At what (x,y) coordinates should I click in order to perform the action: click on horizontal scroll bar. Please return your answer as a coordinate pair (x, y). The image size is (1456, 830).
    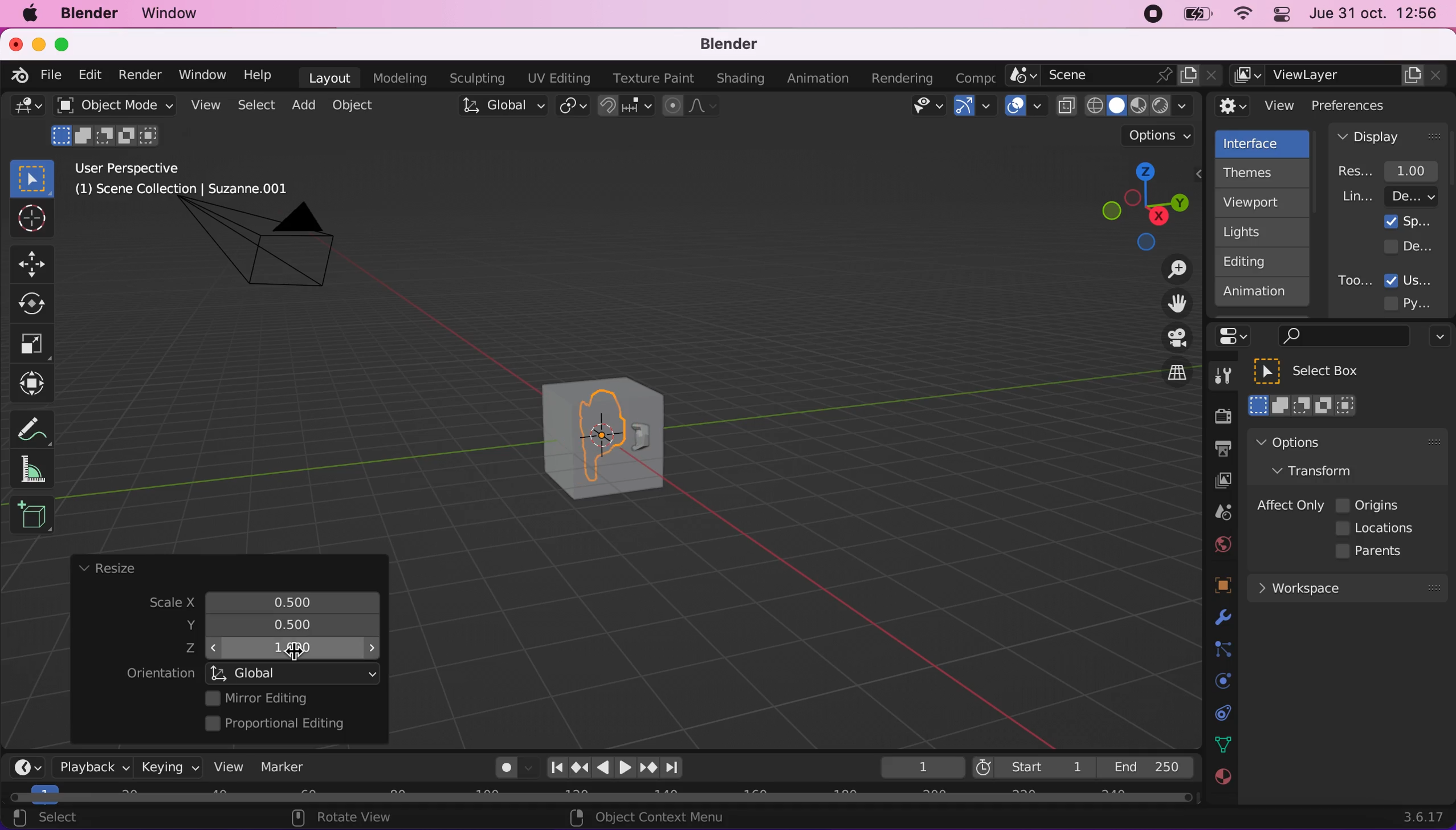
    Looking at the image, I should click on (601, 798).